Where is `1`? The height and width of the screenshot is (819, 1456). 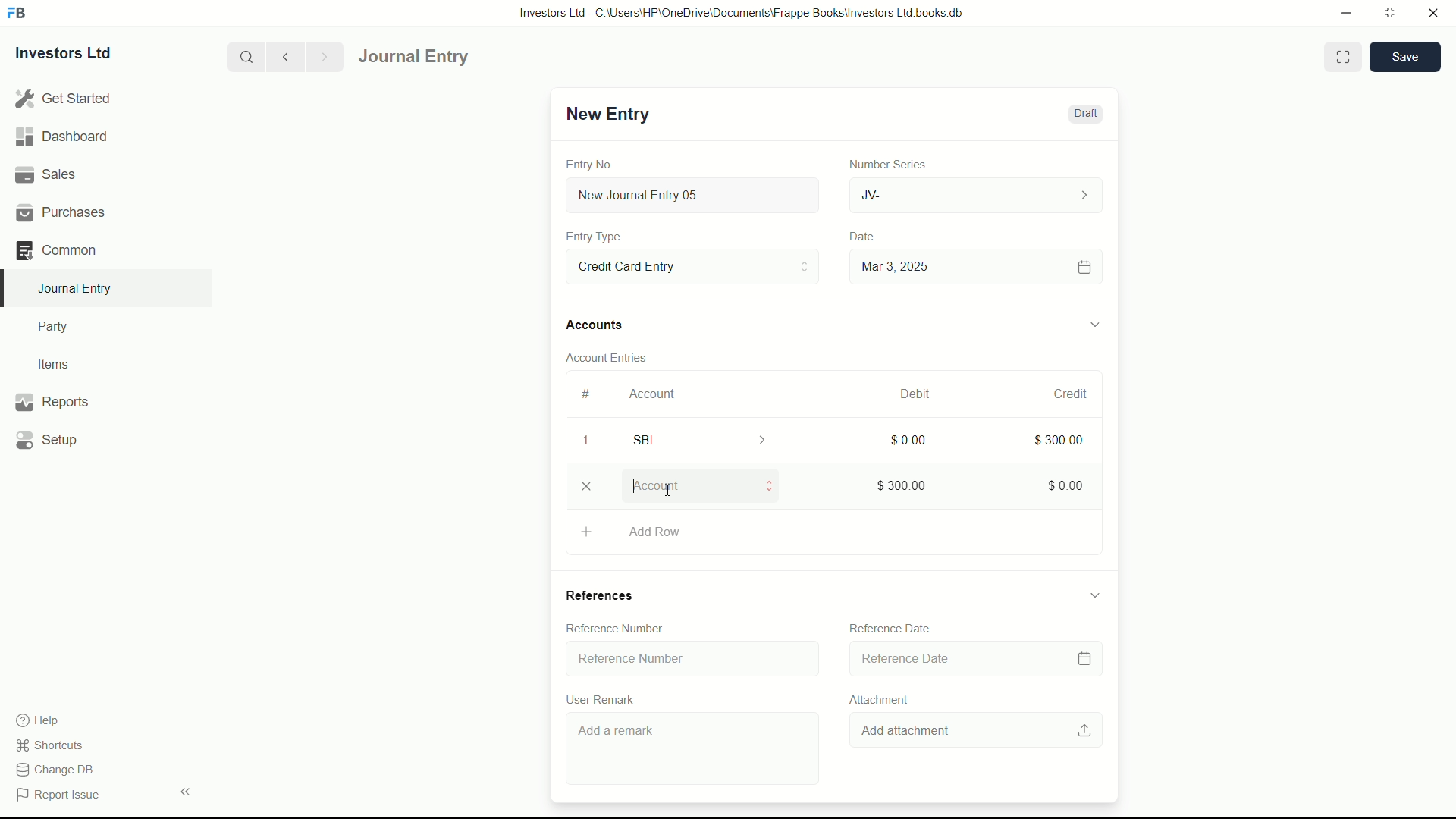 1 is located at coordinates (585, 443).